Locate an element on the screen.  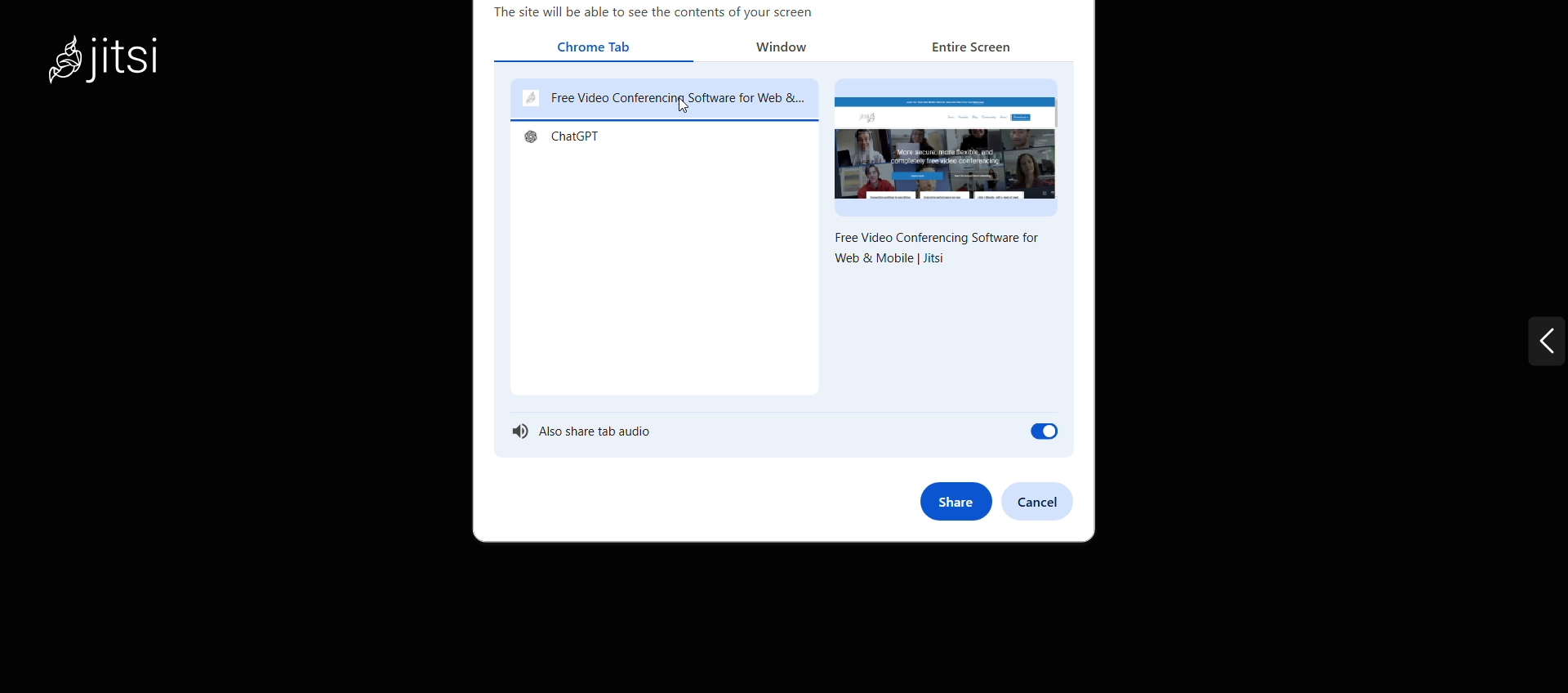
screen preview is located at coordinates (947, 145).